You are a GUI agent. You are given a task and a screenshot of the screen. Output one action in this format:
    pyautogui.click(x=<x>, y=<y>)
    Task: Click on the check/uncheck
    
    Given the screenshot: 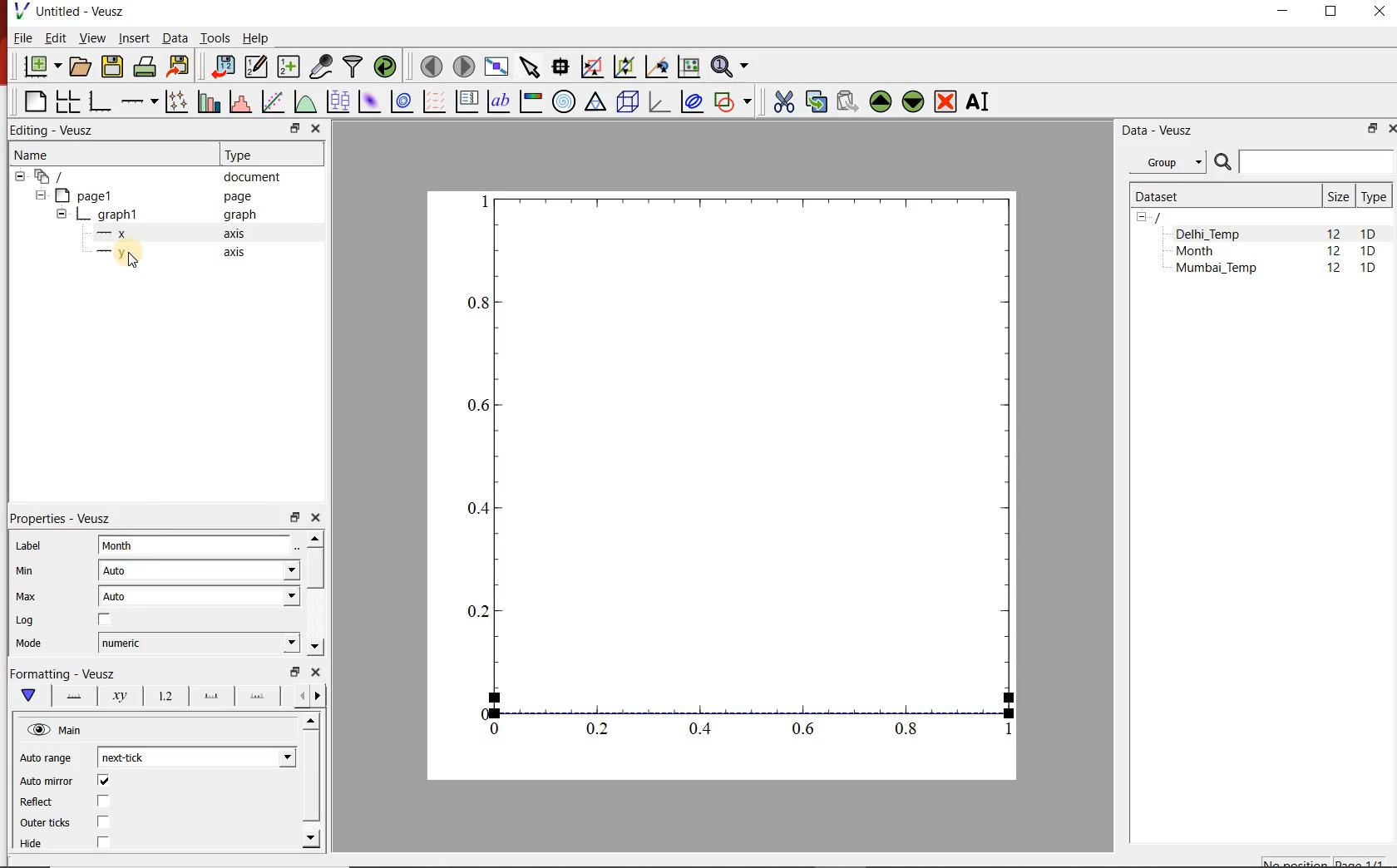 What is the action you would take?
    pyautogui.click(x=102, y=844)
    